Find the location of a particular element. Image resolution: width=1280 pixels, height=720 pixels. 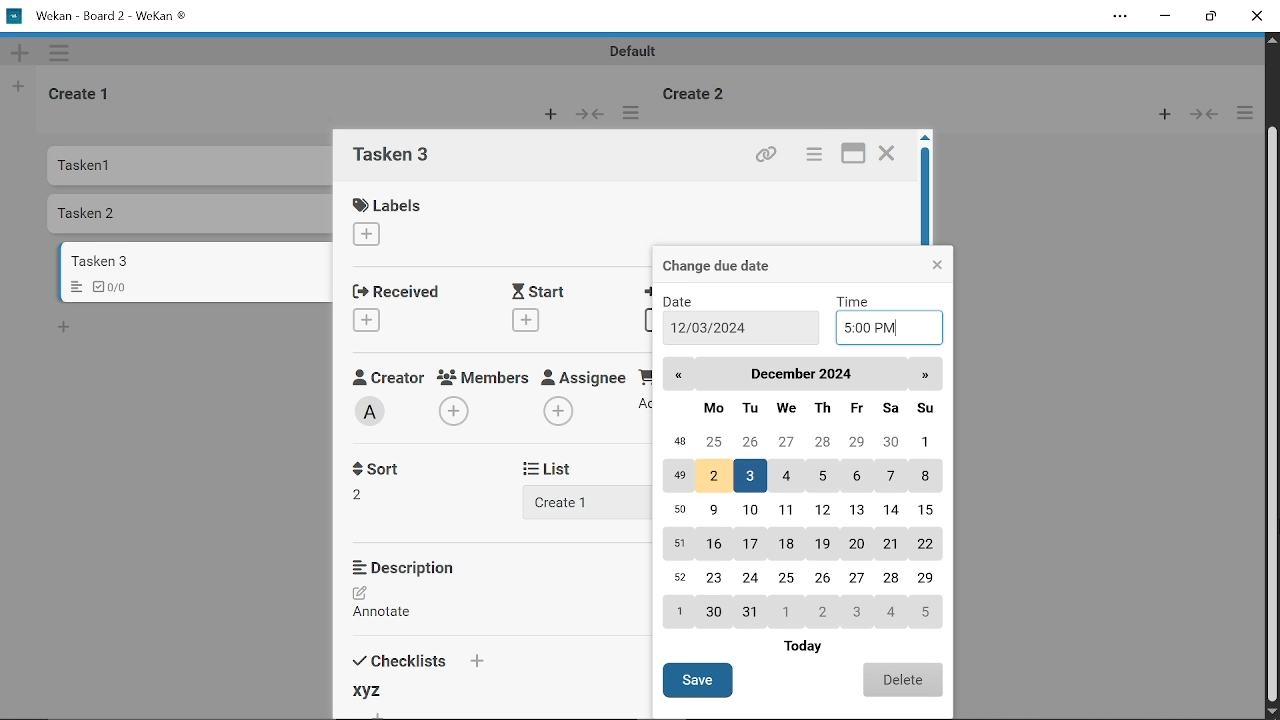

Requested By is located at coordinates (645, 375).